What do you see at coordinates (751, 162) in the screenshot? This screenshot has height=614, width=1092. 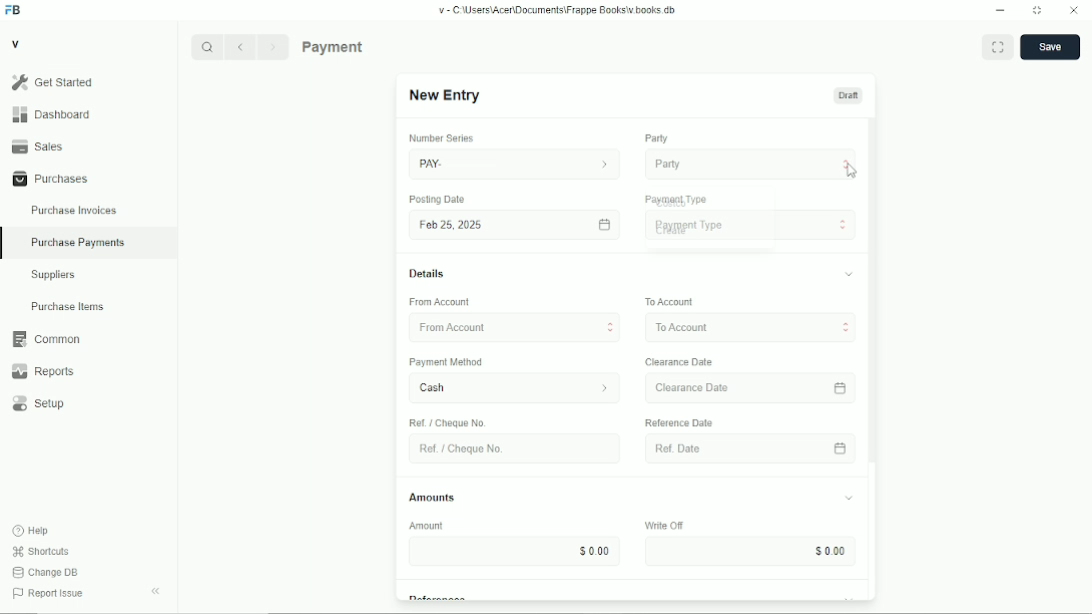 I see `Party` at bounding box center [751, 162].